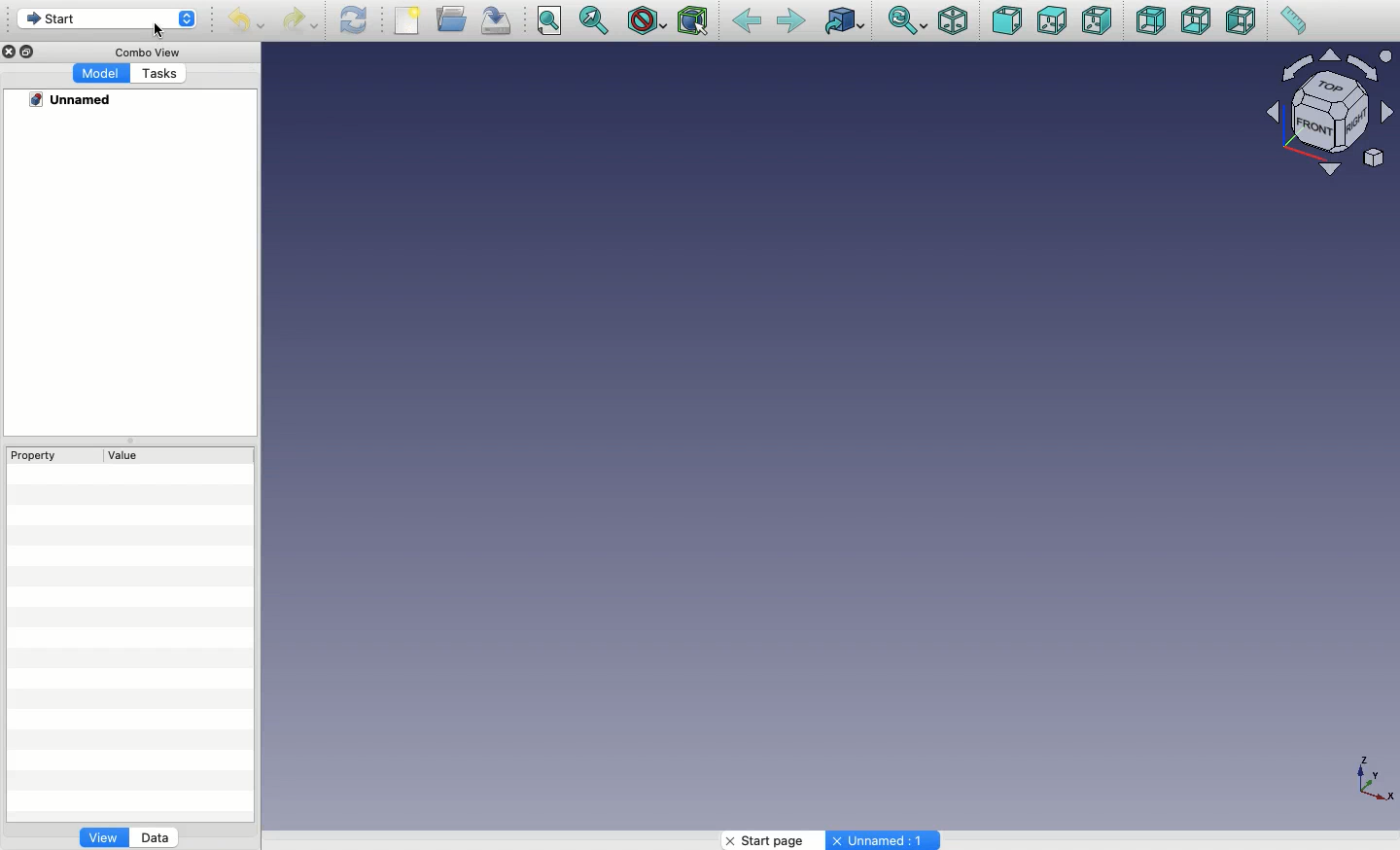 The width and height of the screenshot is (1400, 850). I want to click on Front, so click(1006, 20).